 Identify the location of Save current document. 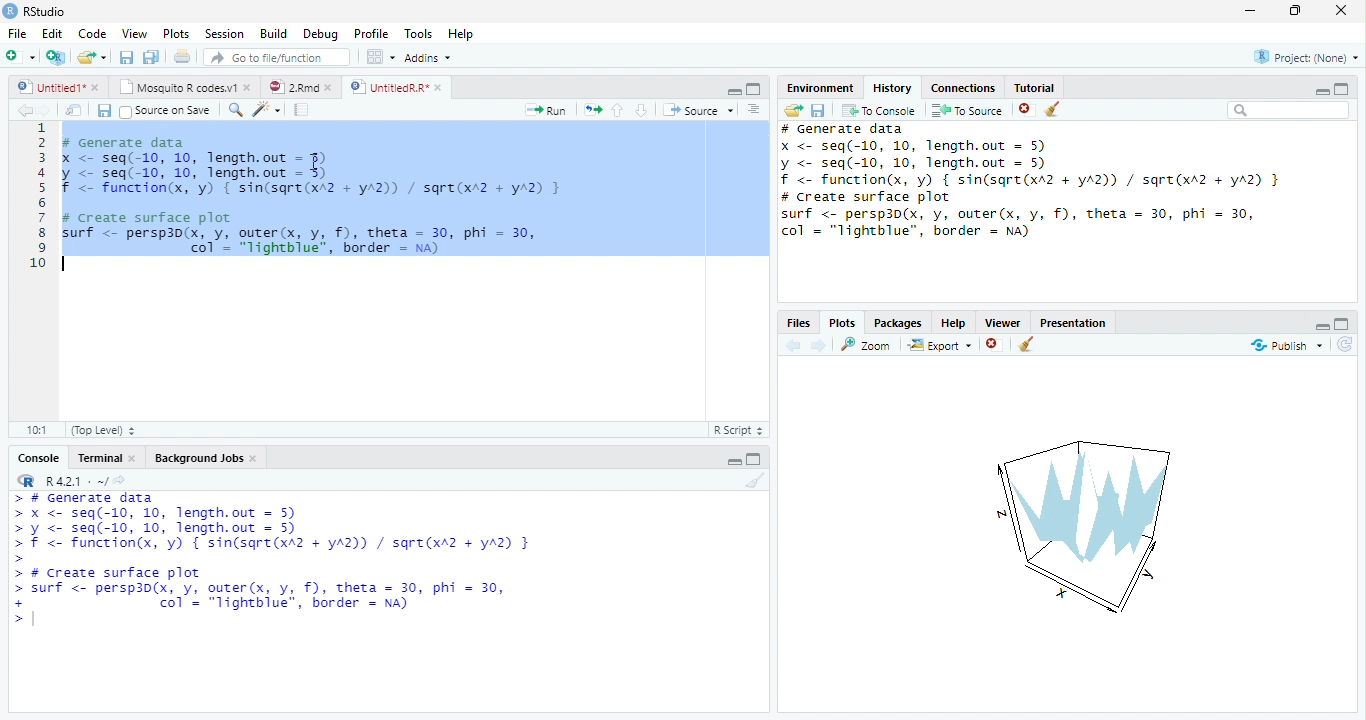
(125, 56).